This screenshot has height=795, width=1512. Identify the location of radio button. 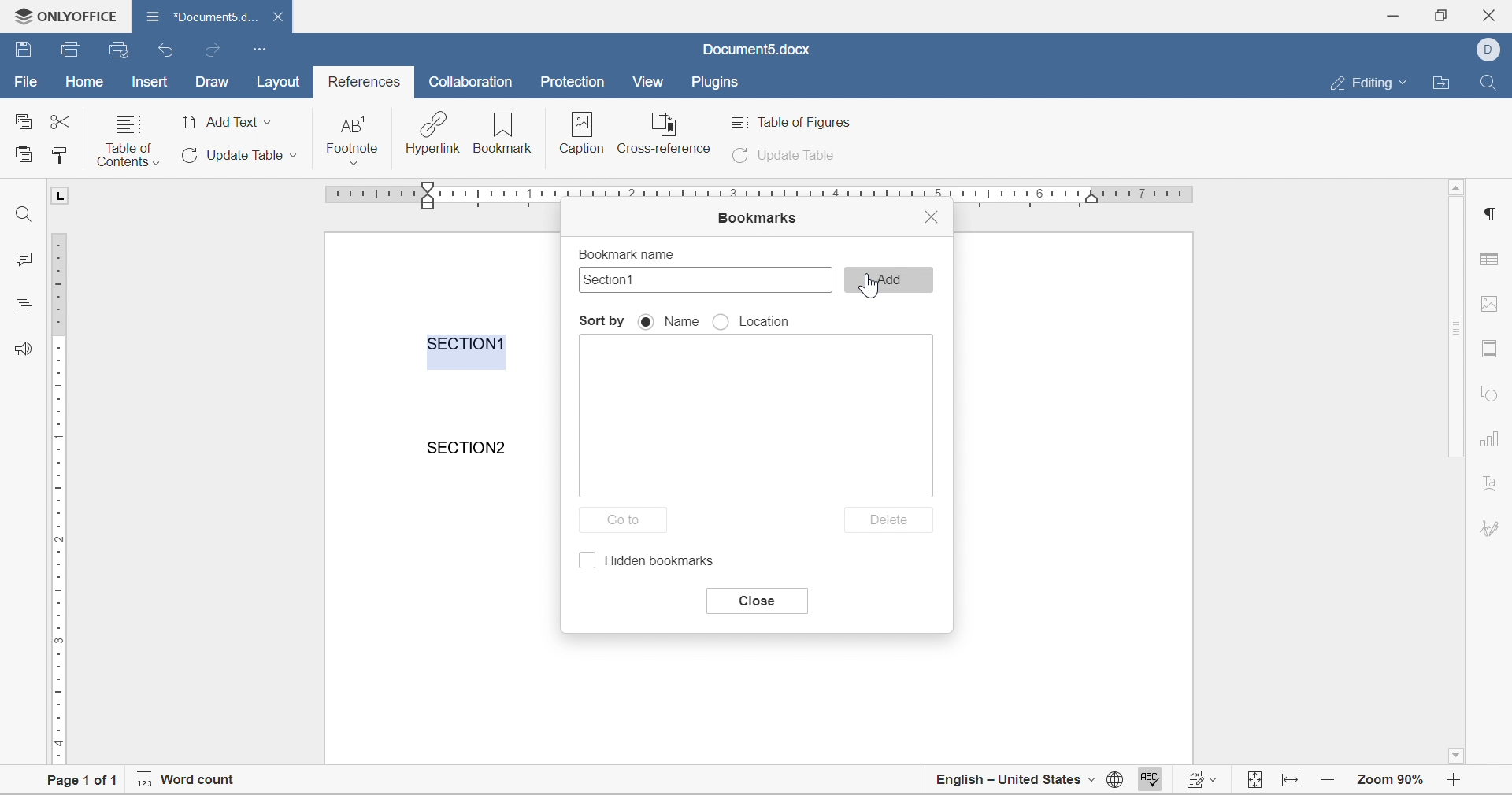
(648, 322).